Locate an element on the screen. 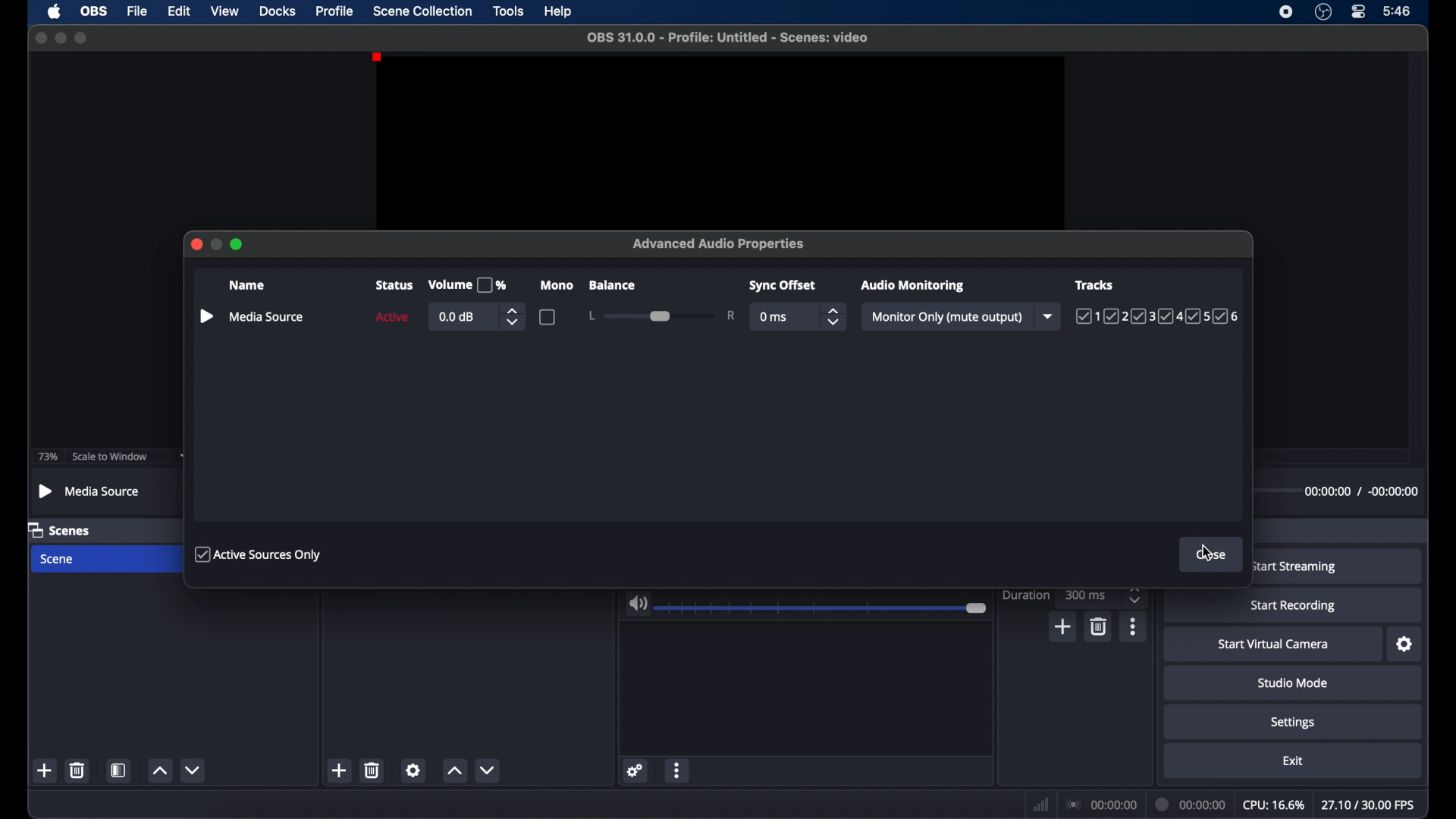  slider is located at coordinates (824, 608).